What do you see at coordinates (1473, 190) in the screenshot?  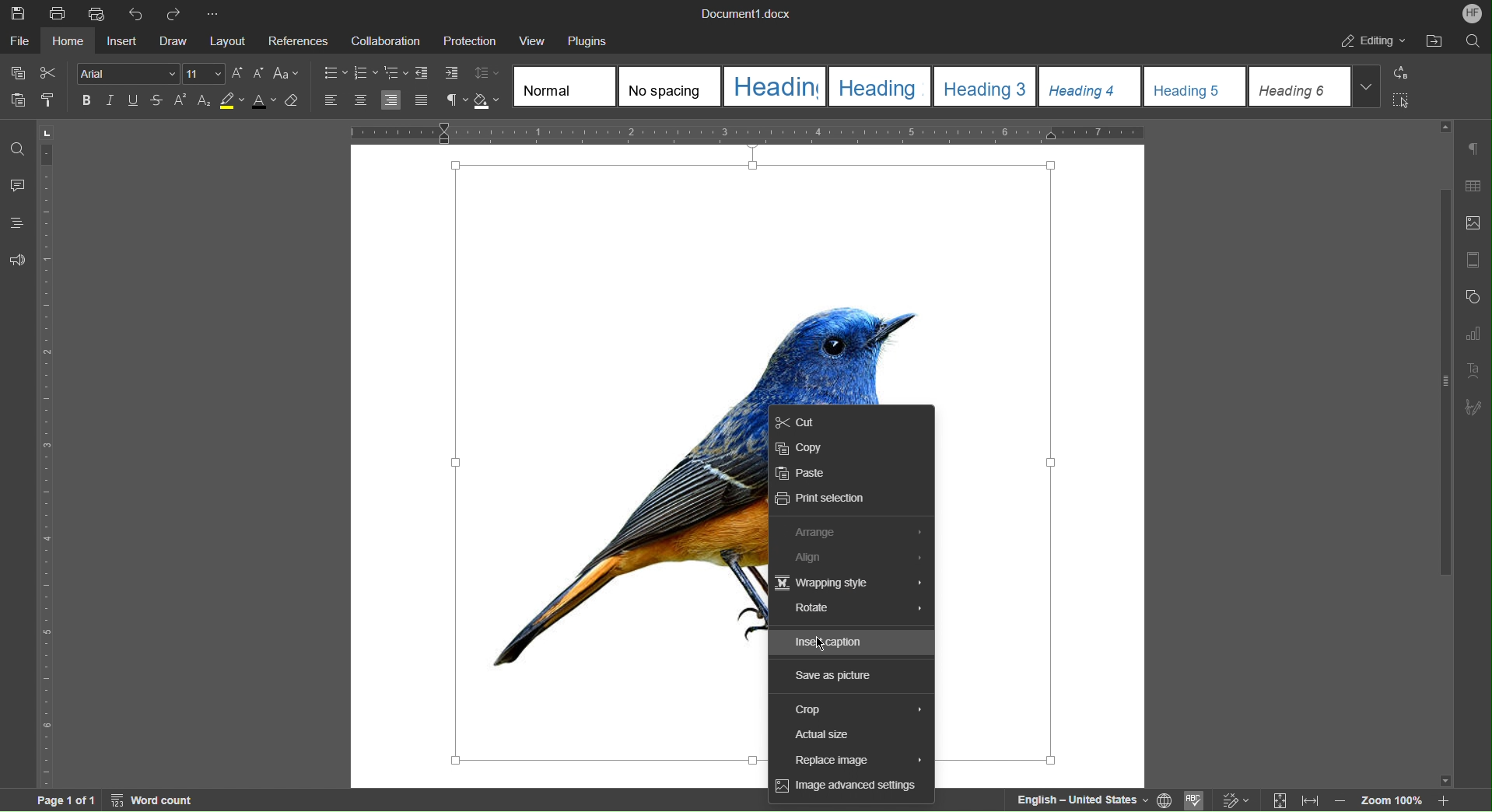 I see `Table` at bounding box center [1473, 190].